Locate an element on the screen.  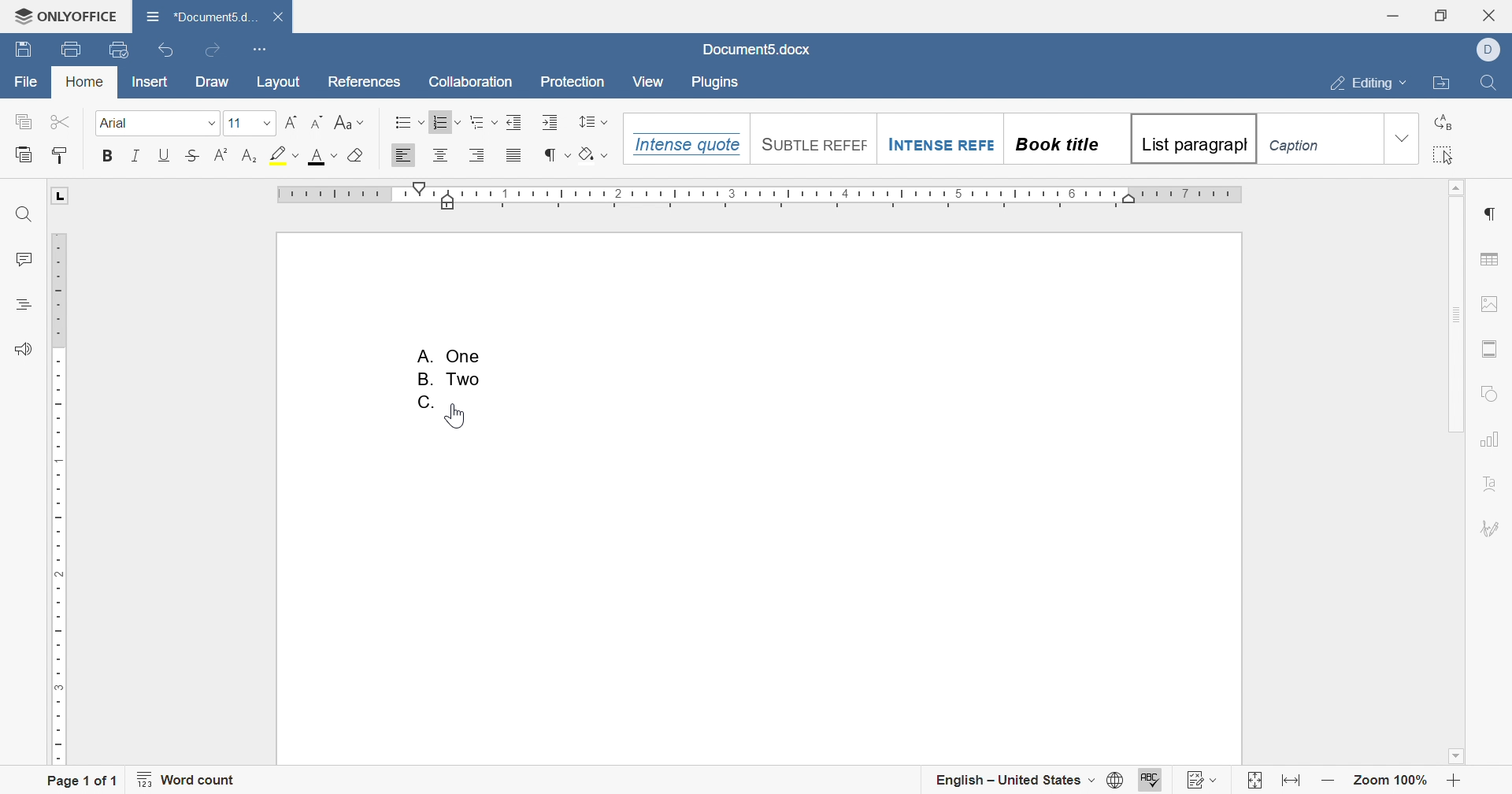
highlight color is located at coordinates (287, 153).